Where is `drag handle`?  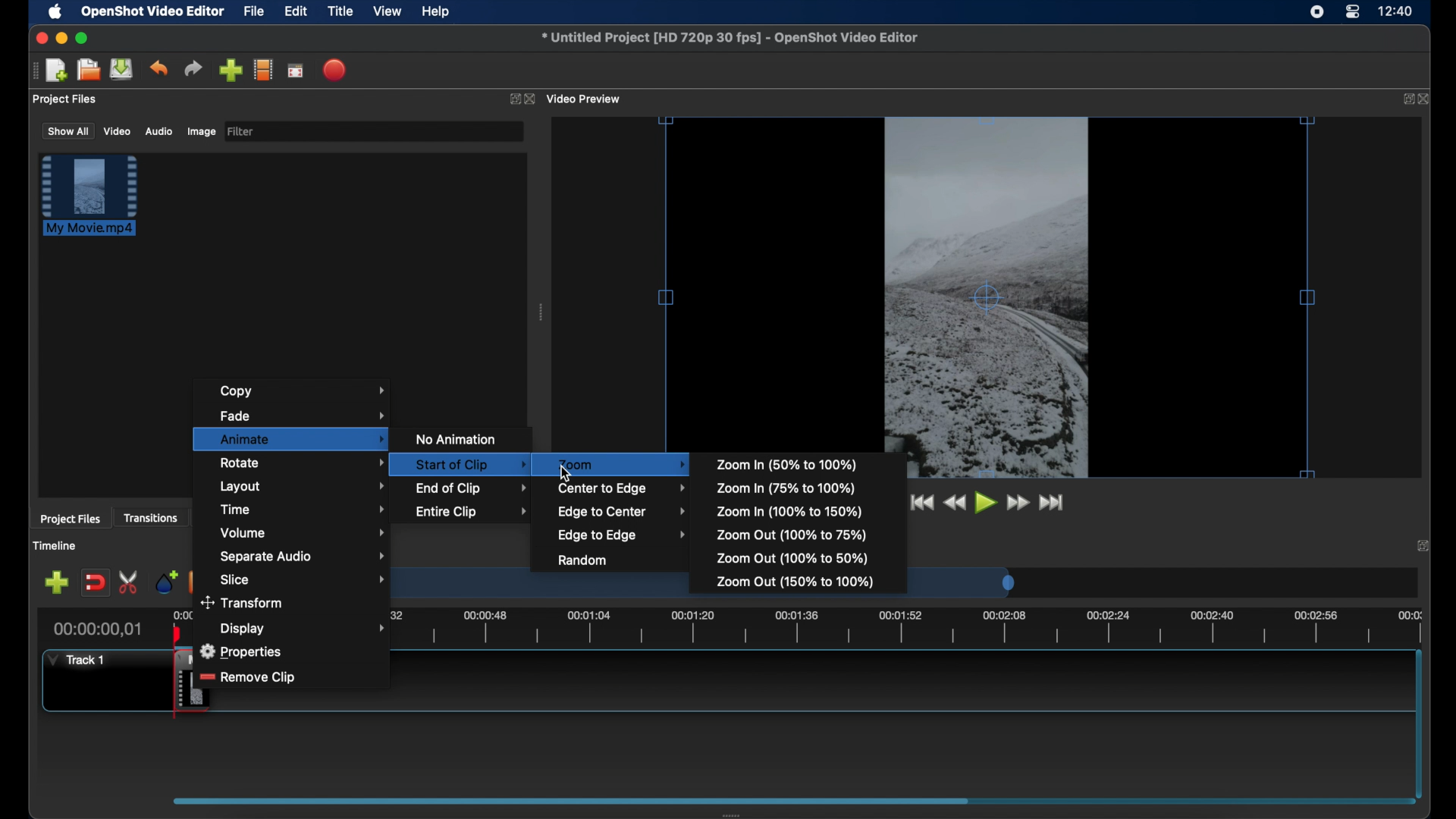 drag handle is located at coordinates (541, 314).